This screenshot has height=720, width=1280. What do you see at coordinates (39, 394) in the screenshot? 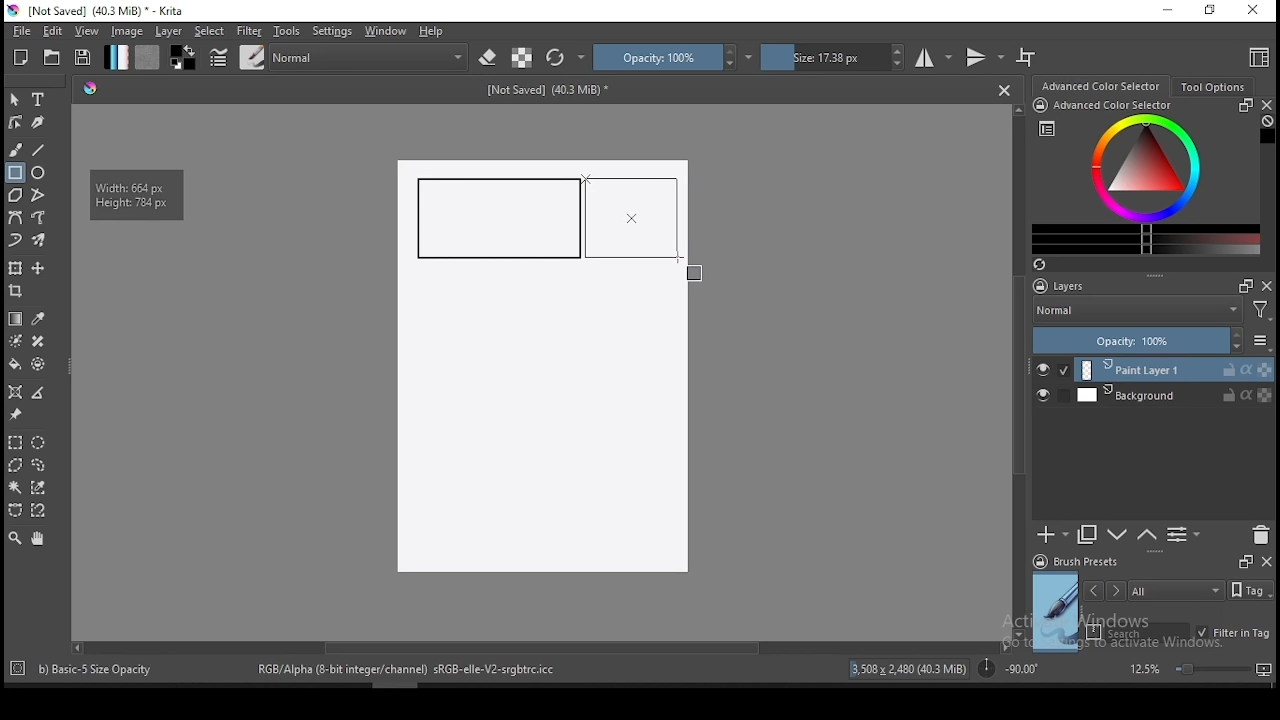
I see `measure distance between two points` at bounding box center [39, 394].